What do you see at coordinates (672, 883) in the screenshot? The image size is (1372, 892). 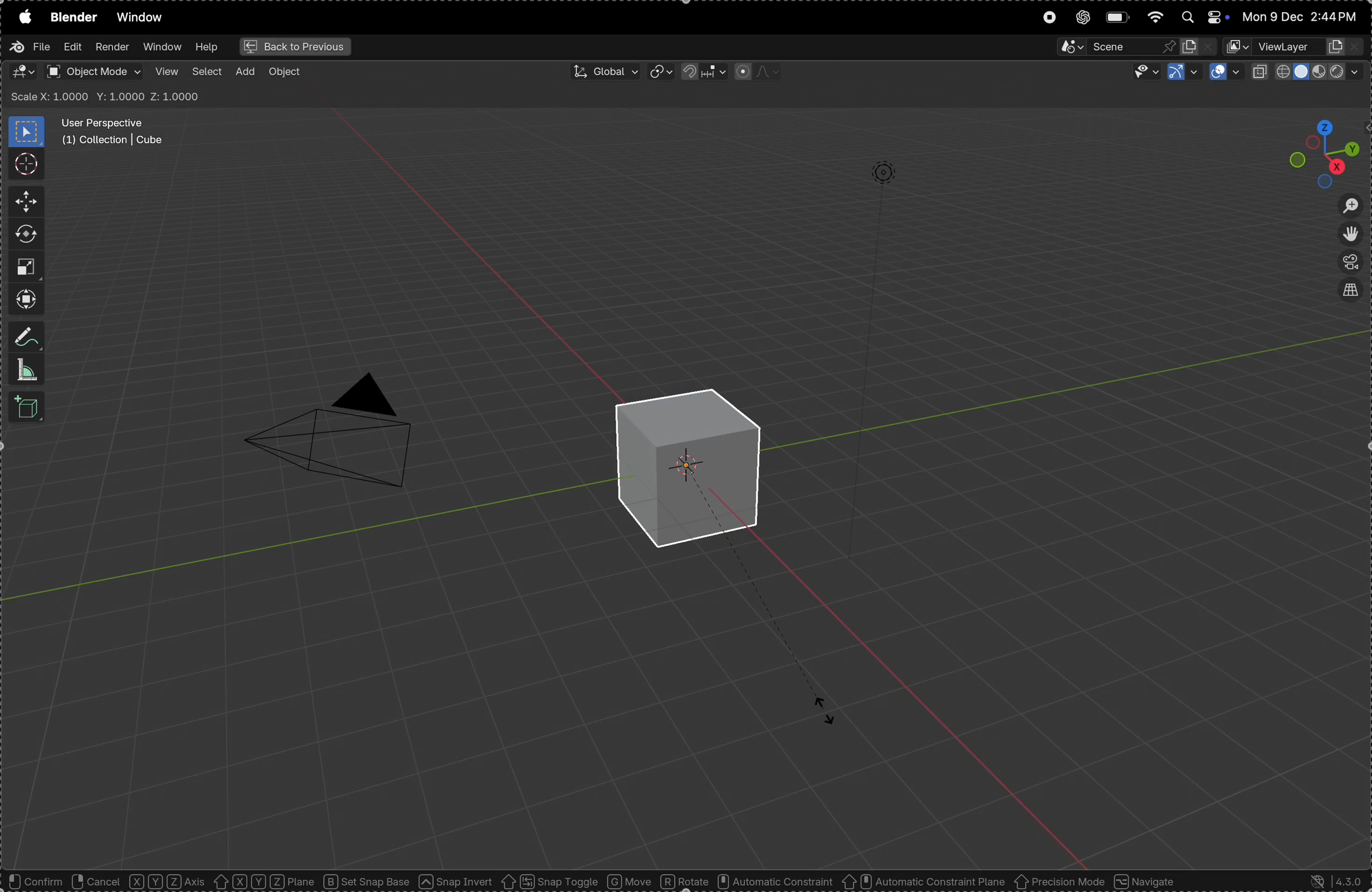 I see `object` at bounding box center [672, 883].